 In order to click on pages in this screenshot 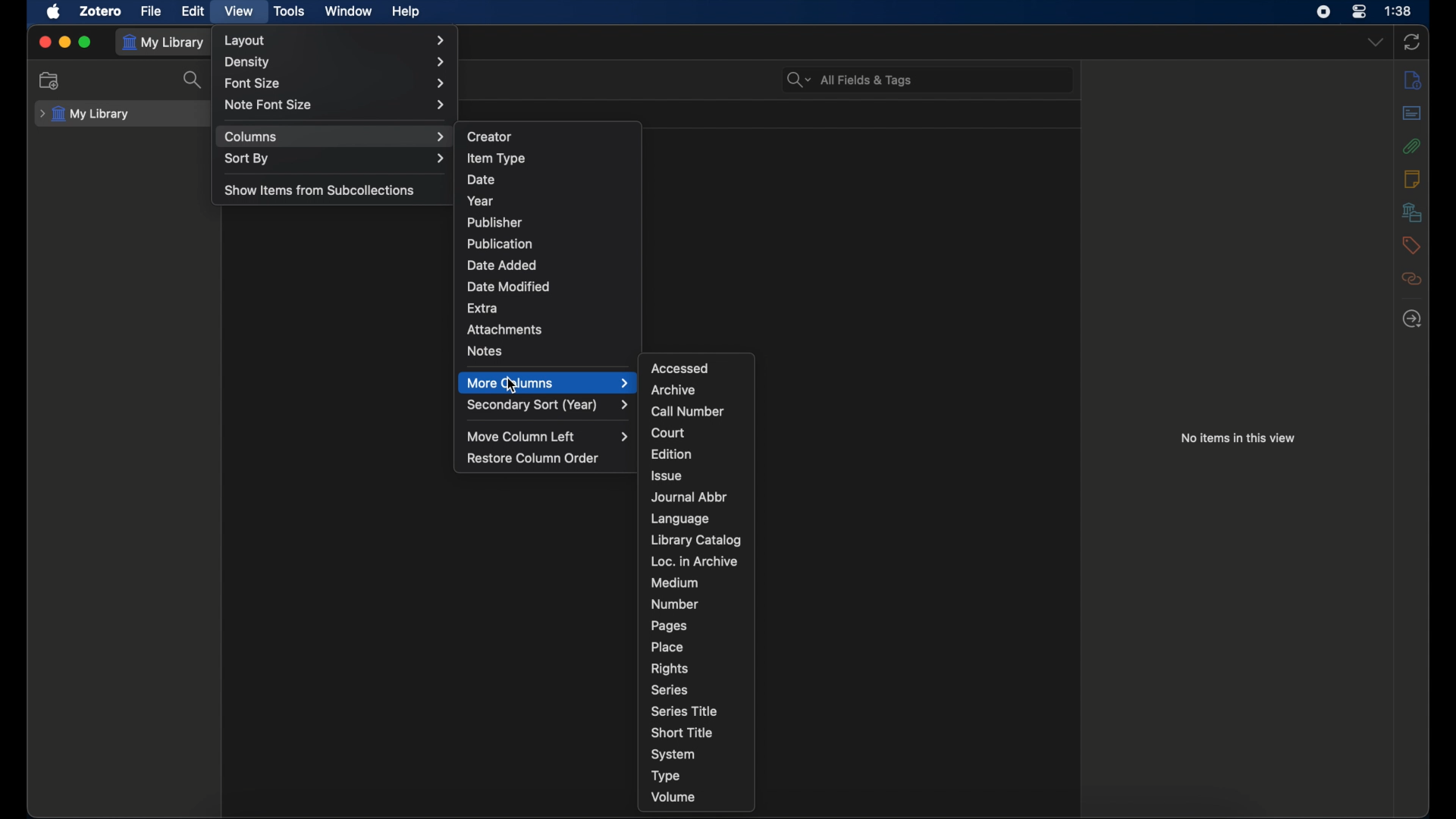, I will do `click(668, 626)`.